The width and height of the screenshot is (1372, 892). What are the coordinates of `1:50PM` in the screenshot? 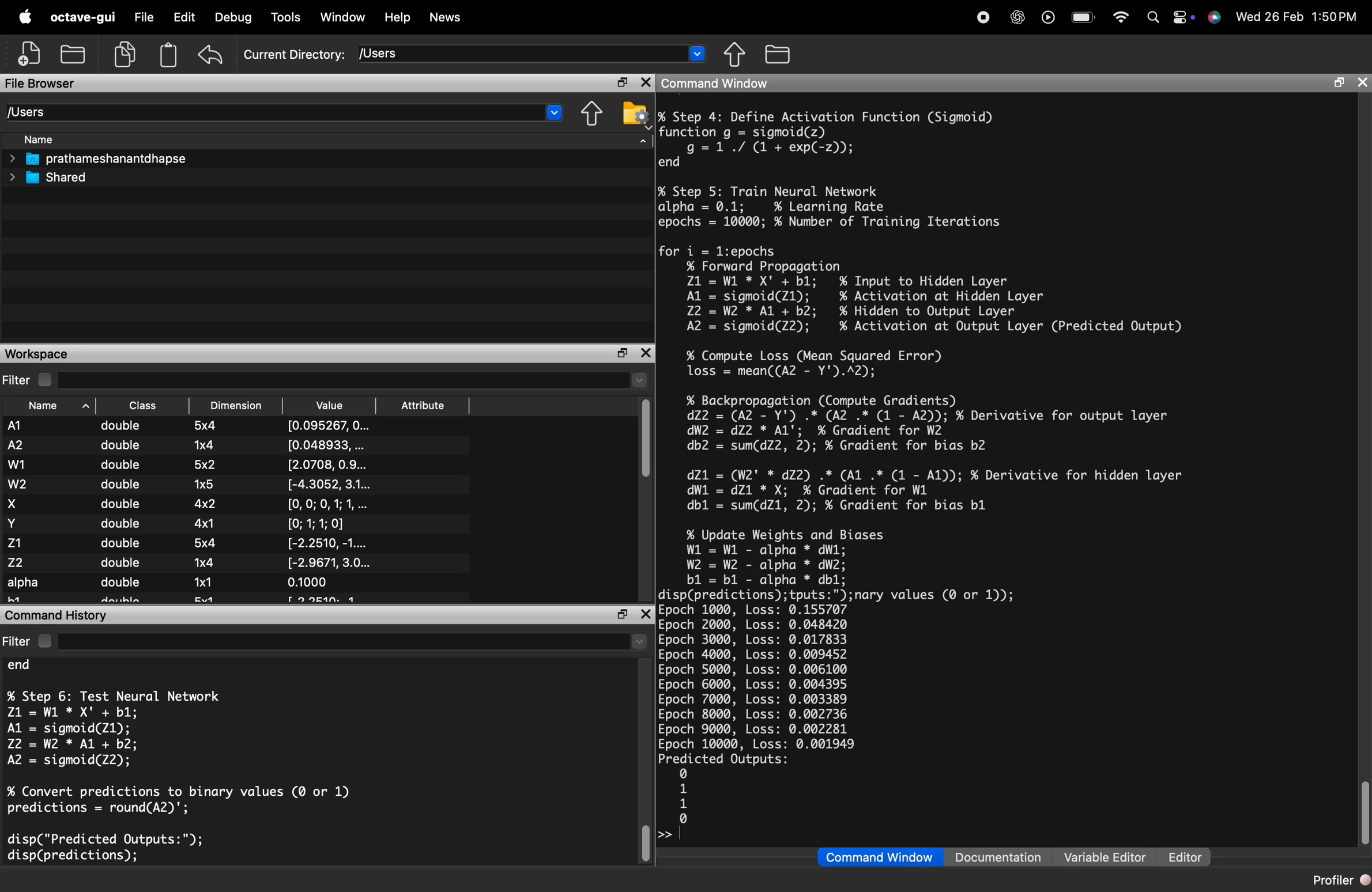 It's located at (1335, 17).